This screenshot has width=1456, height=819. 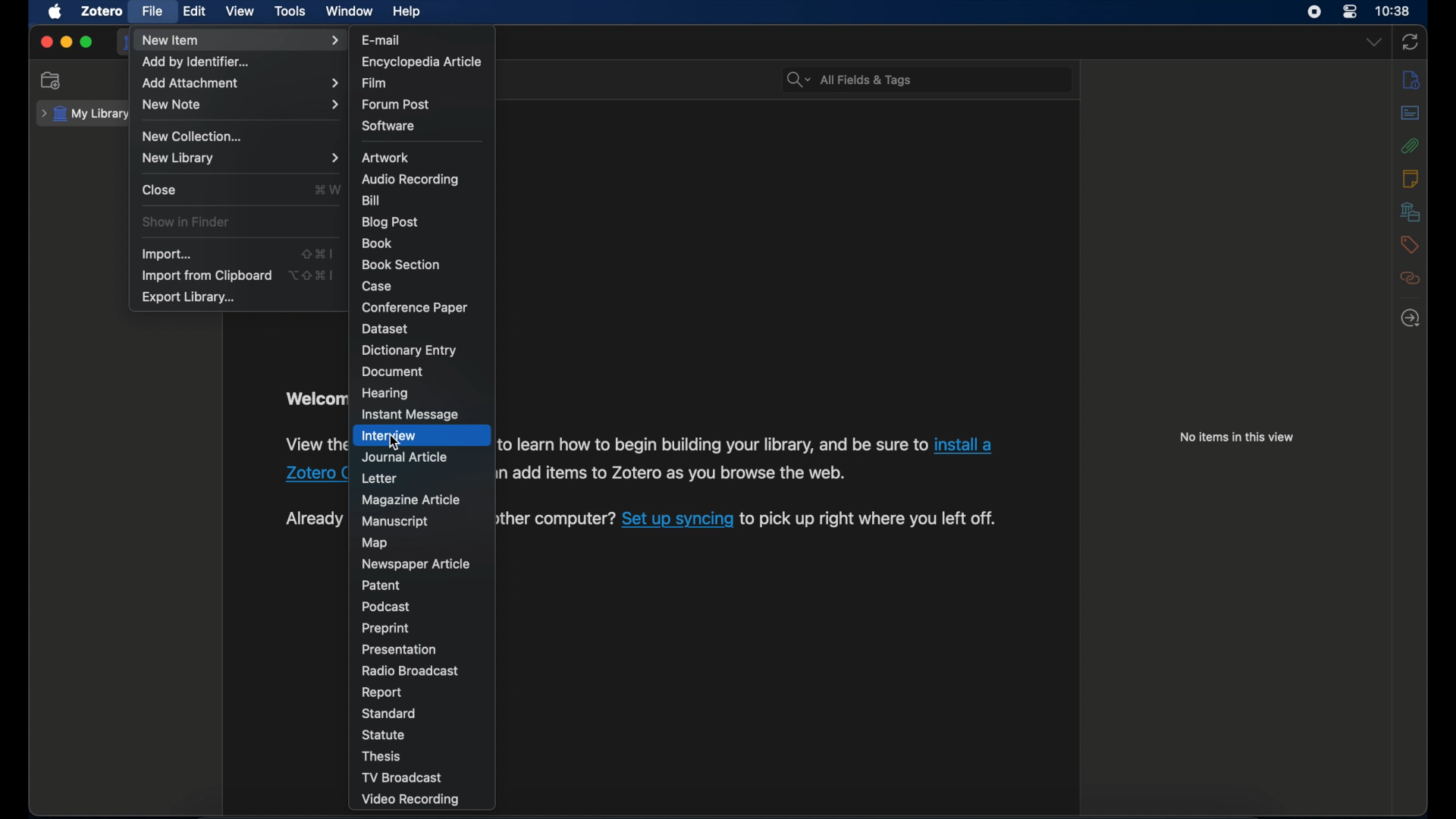 What do you see at coordinates (411, 180) in the screenshot?
I see `audio recording` at bounding box center [411, 180].